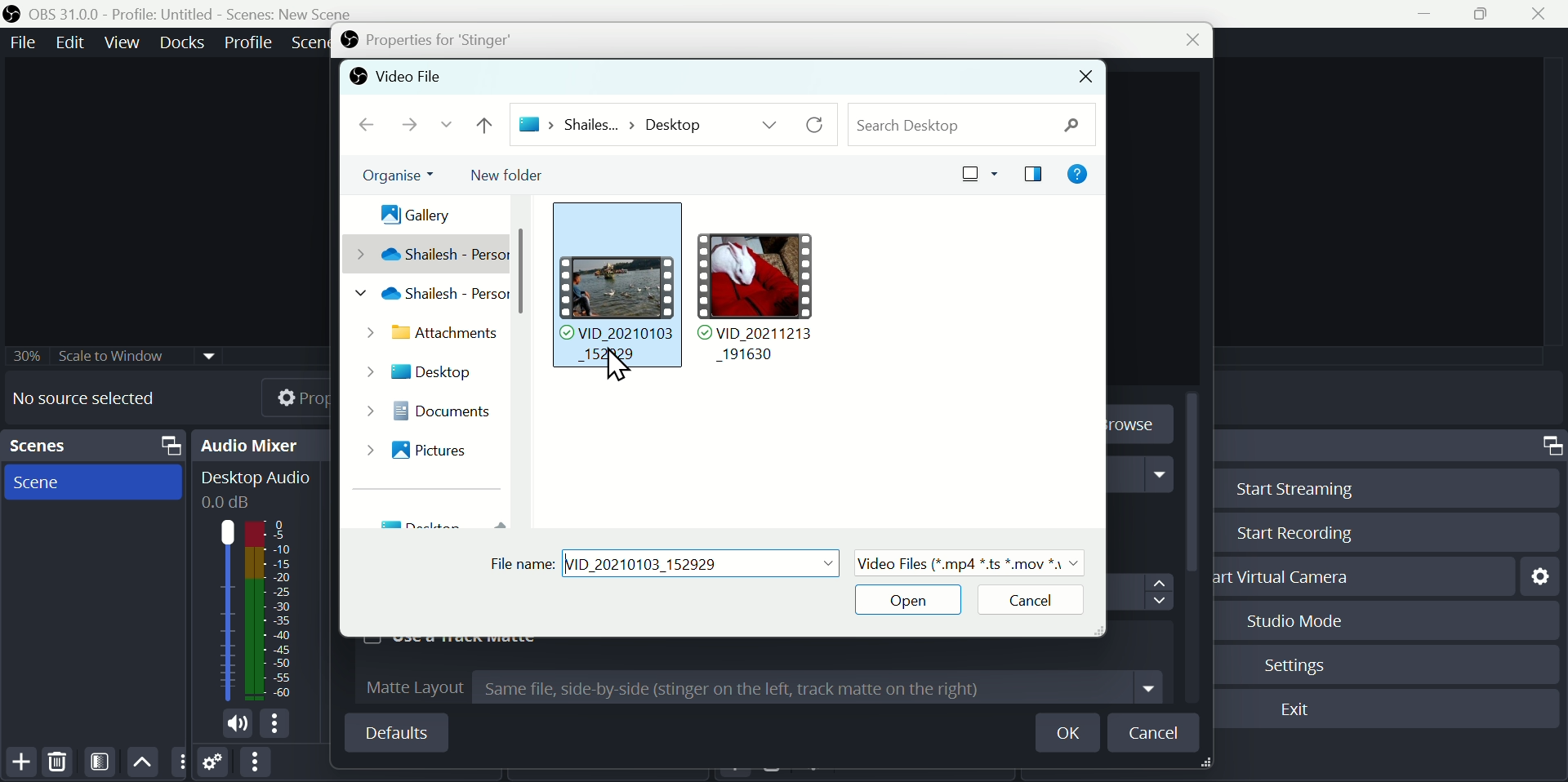 The width and height of the screenshot is (1568, 782). Describe the element at coordinates (117, 353) in the screenshot. I see `` at that location.